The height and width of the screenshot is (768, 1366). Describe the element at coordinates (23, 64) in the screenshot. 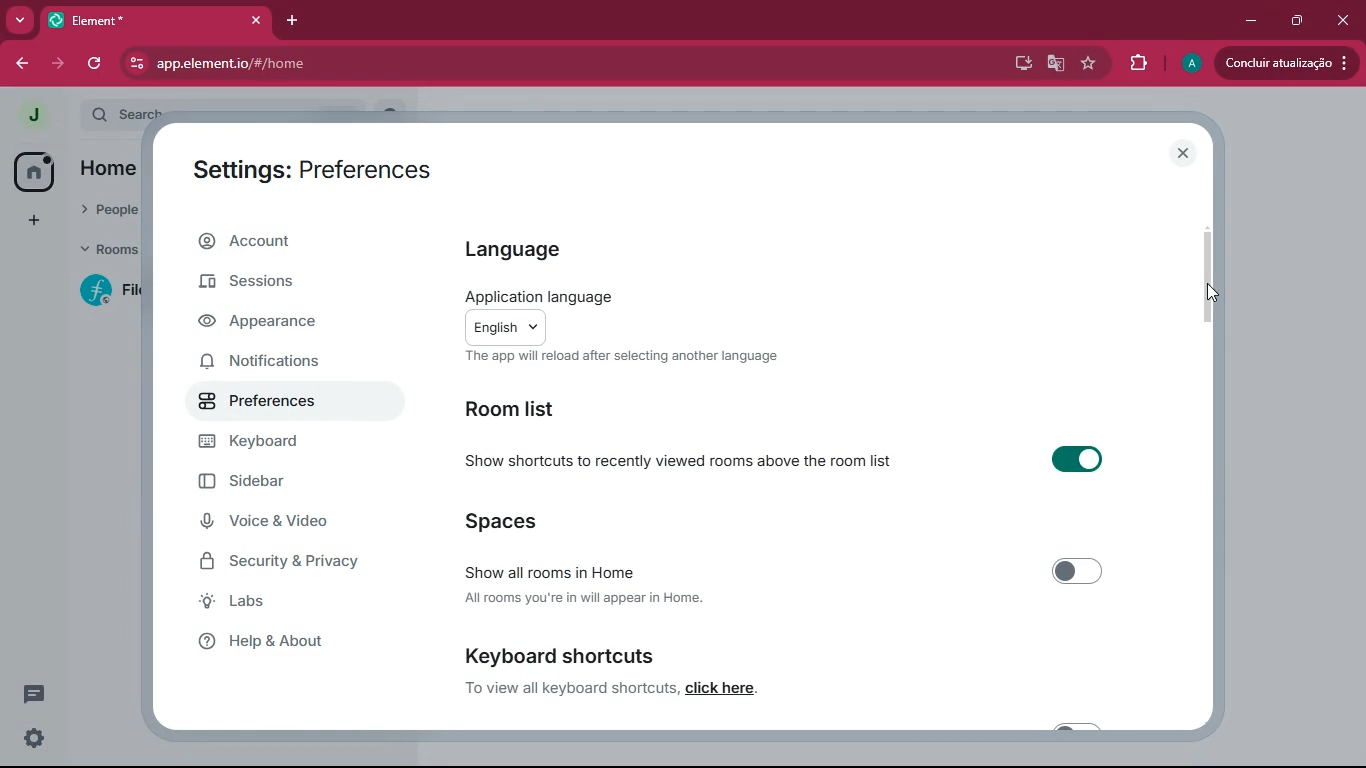

I see `back` at that location.